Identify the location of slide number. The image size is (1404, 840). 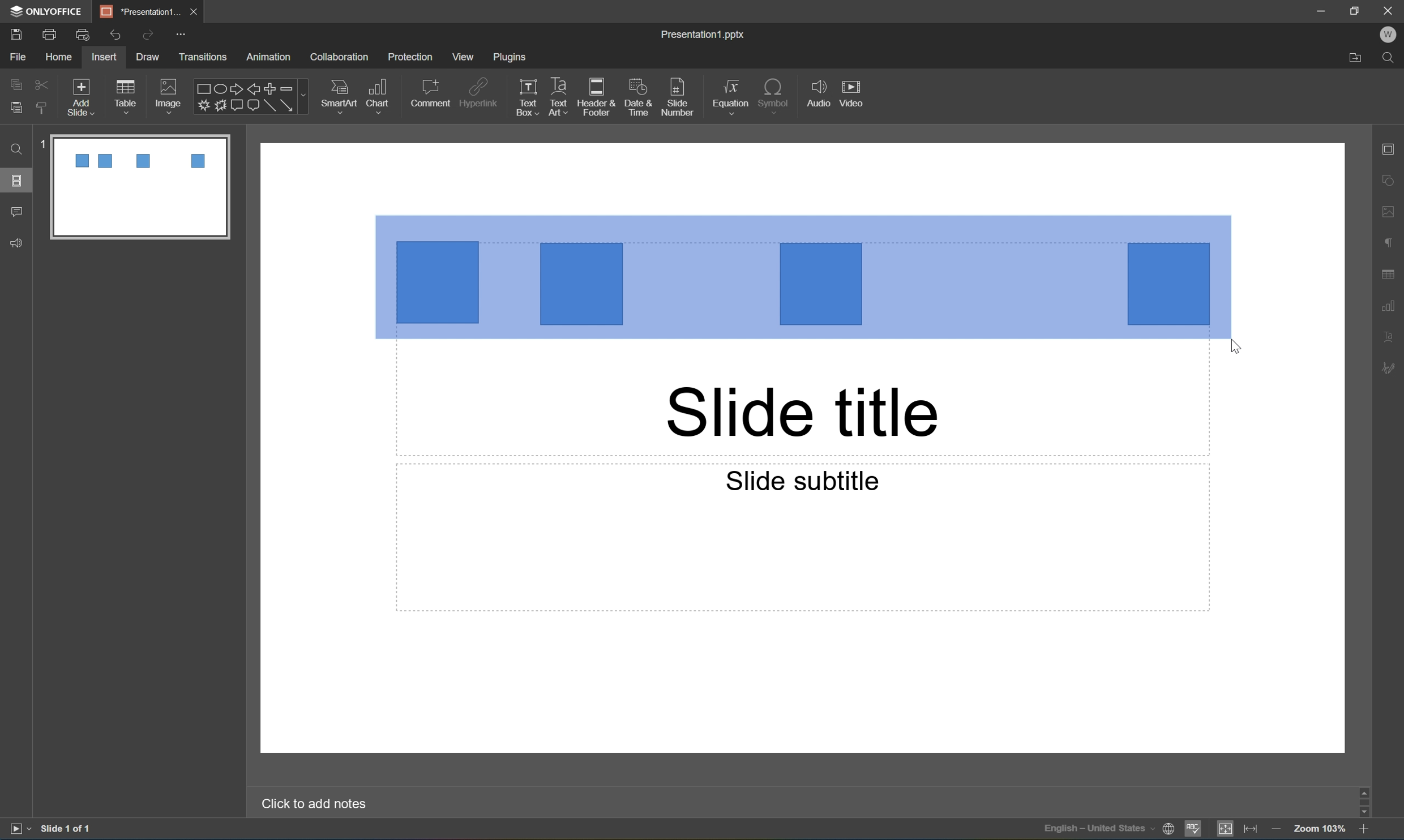
(678, 98).